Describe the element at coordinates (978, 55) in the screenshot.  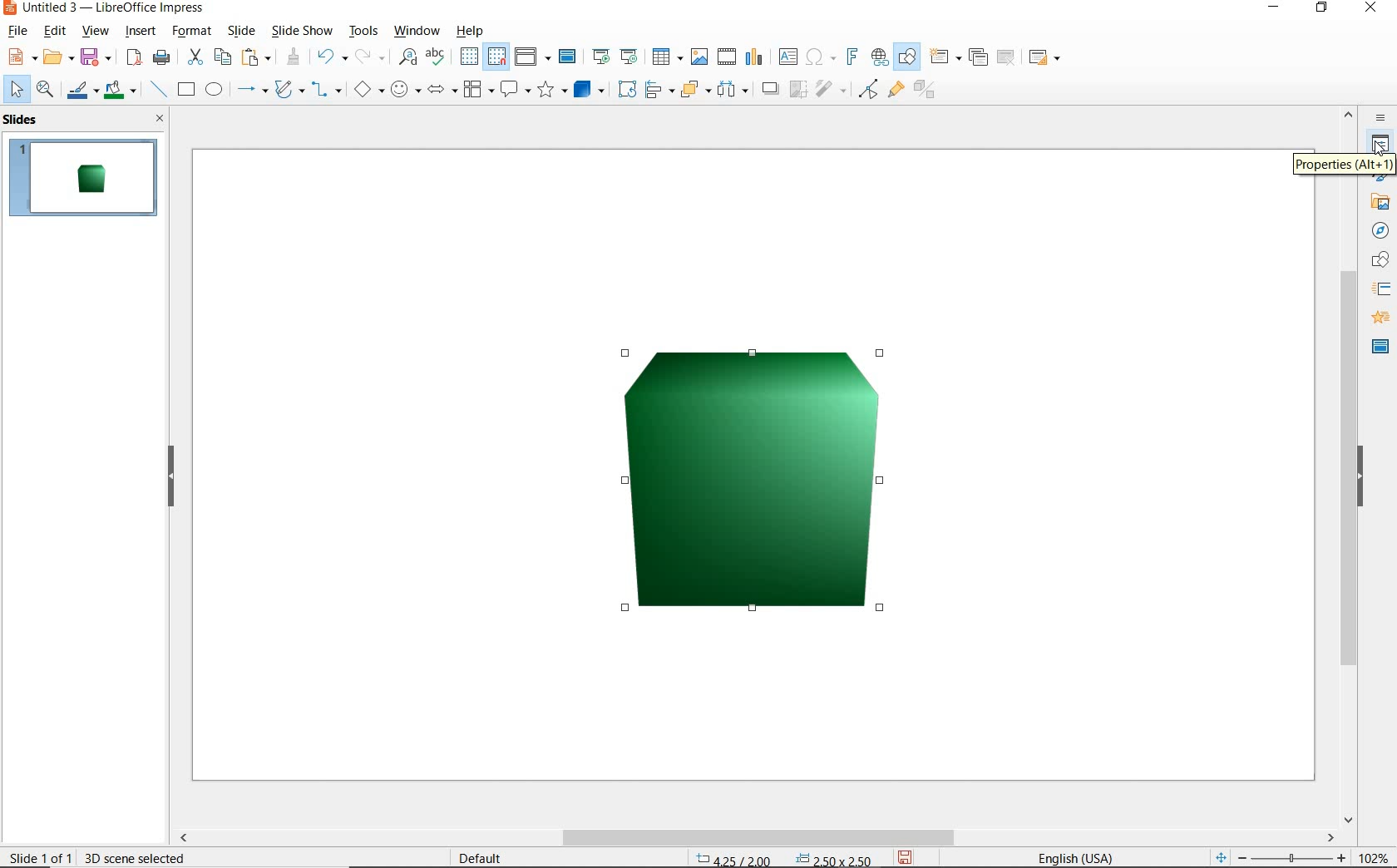
I see `duplicate slide` at that location.